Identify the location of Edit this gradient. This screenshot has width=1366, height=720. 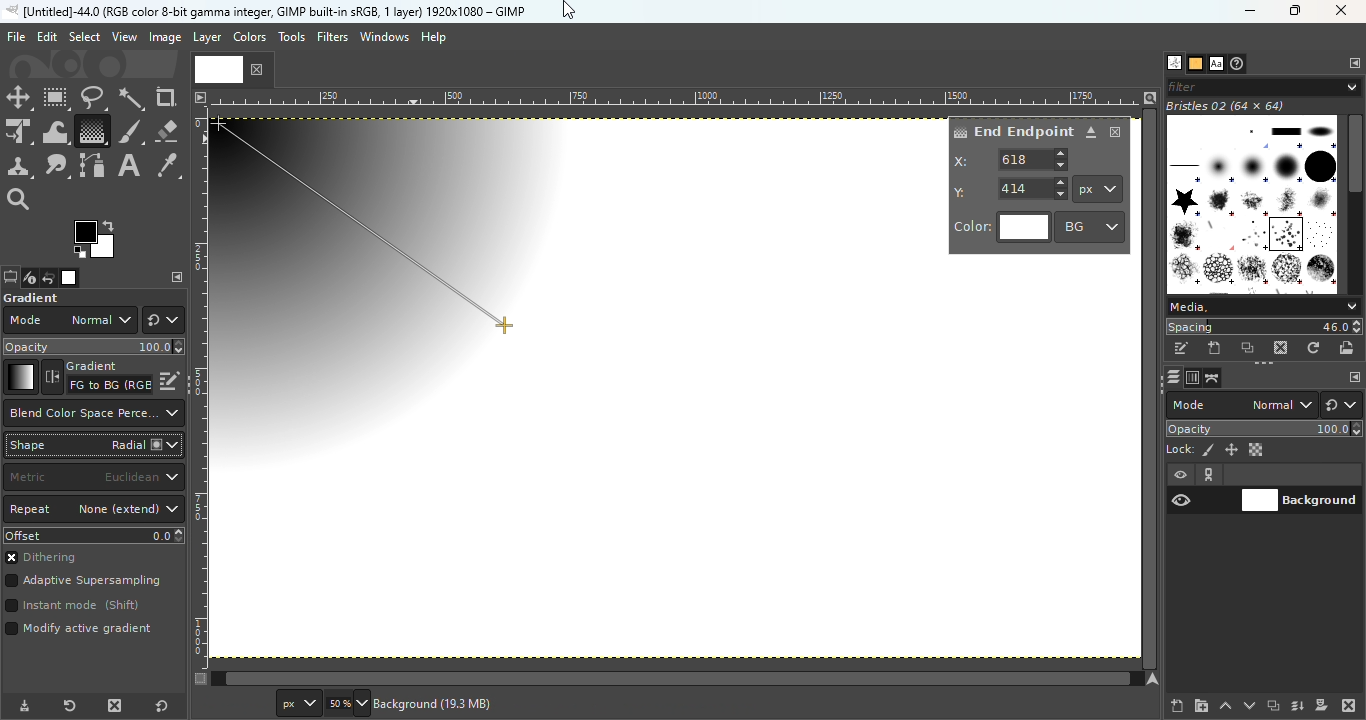
(170, 379).